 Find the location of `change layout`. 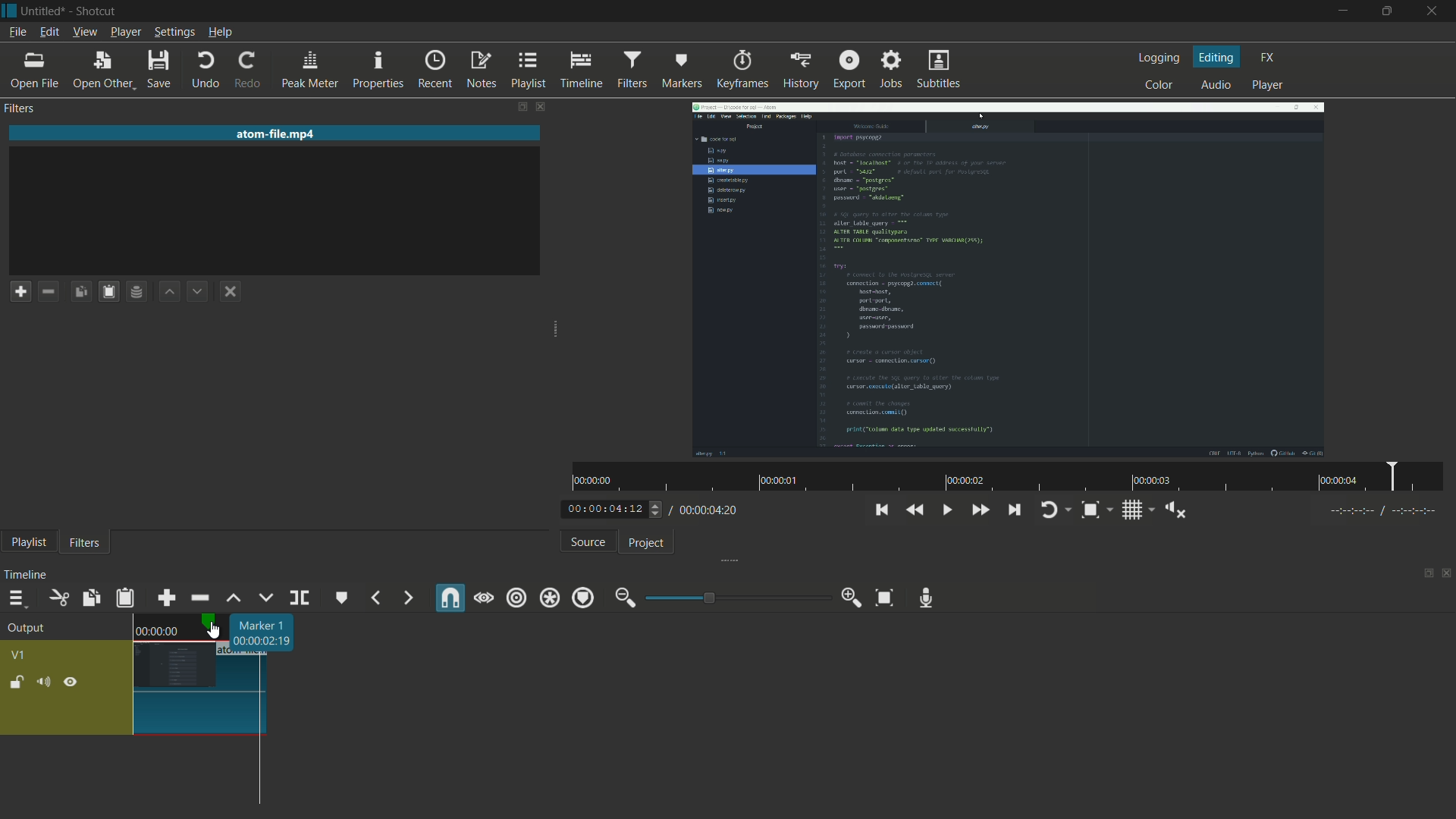

change layout is located at coordinates (519, 107).